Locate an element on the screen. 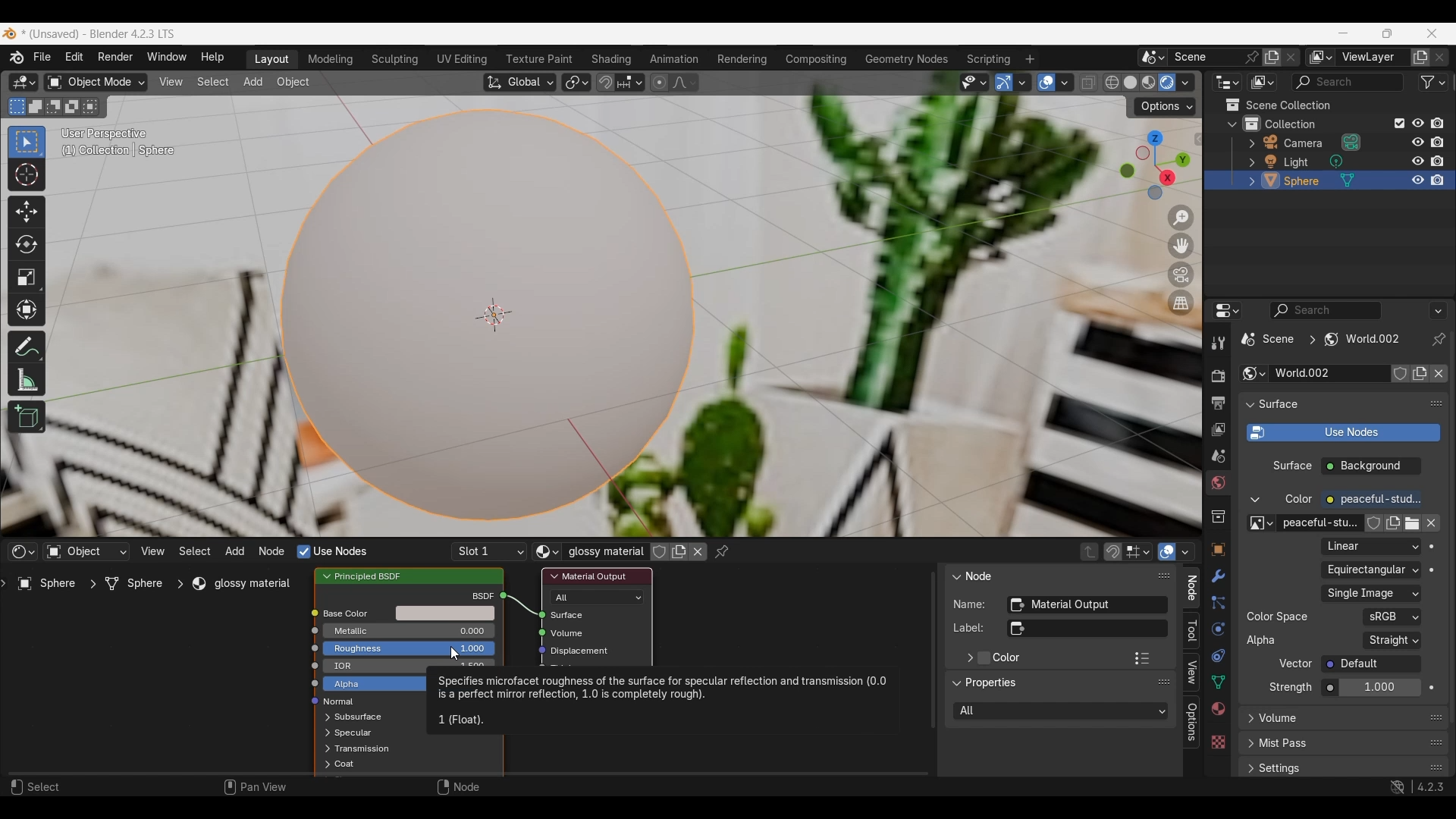  Proportional editing objects is located at coordinates (661, 83).